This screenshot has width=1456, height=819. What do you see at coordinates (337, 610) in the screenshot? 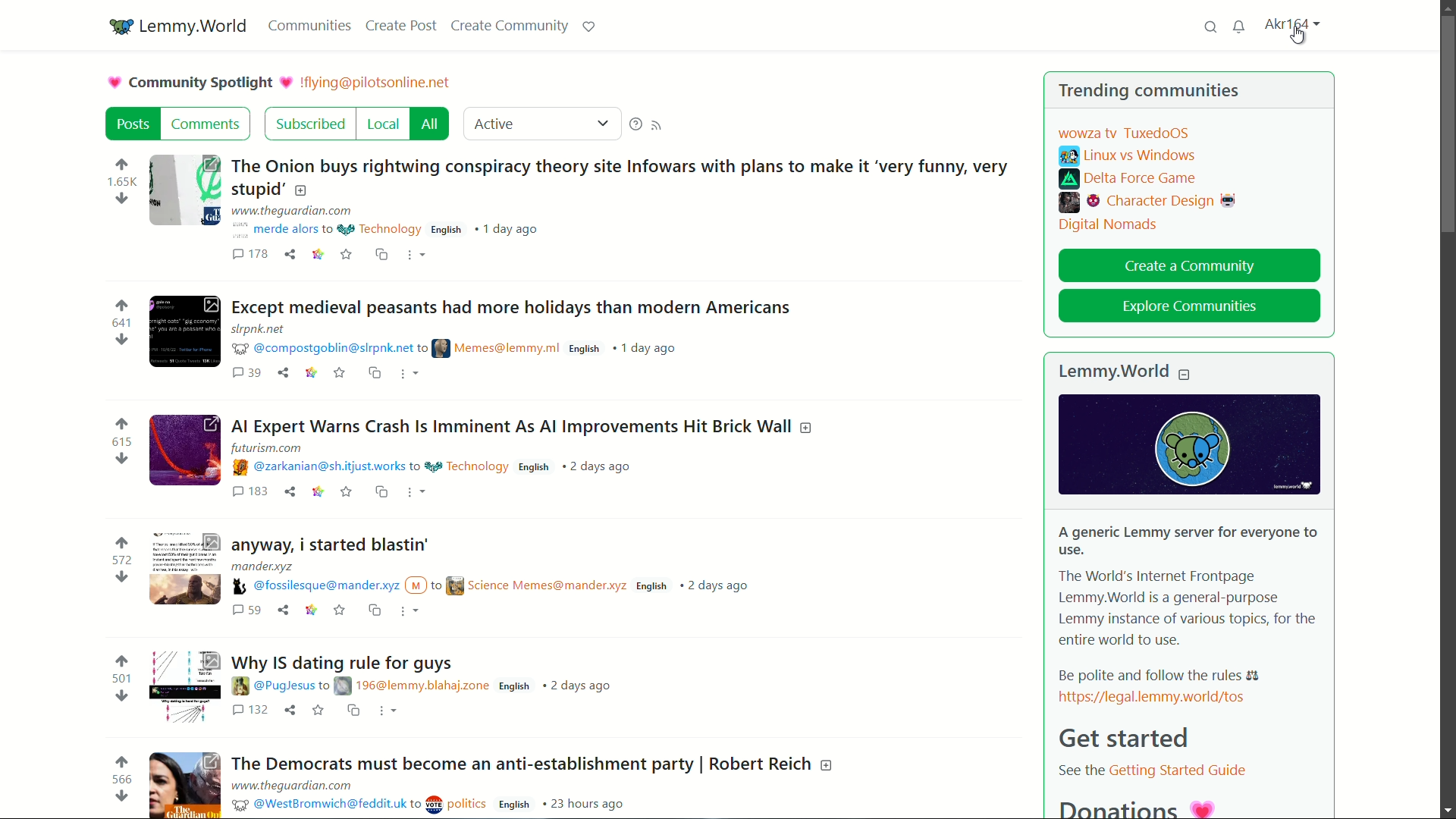
I see `save` at bounding box center [337, 610].